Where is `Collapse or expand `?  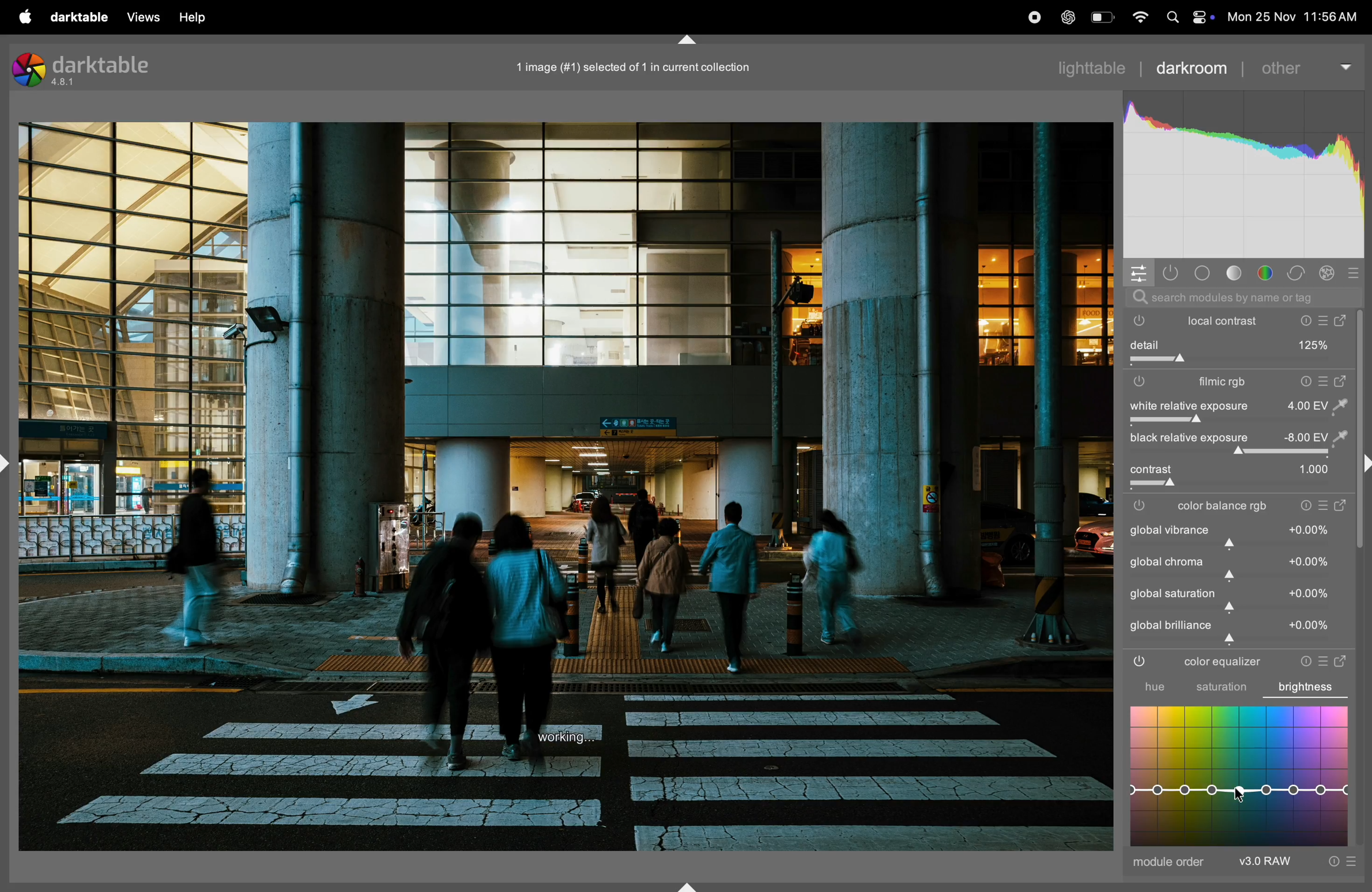 Collapse or expand  is located at coordinates (1363, 465).